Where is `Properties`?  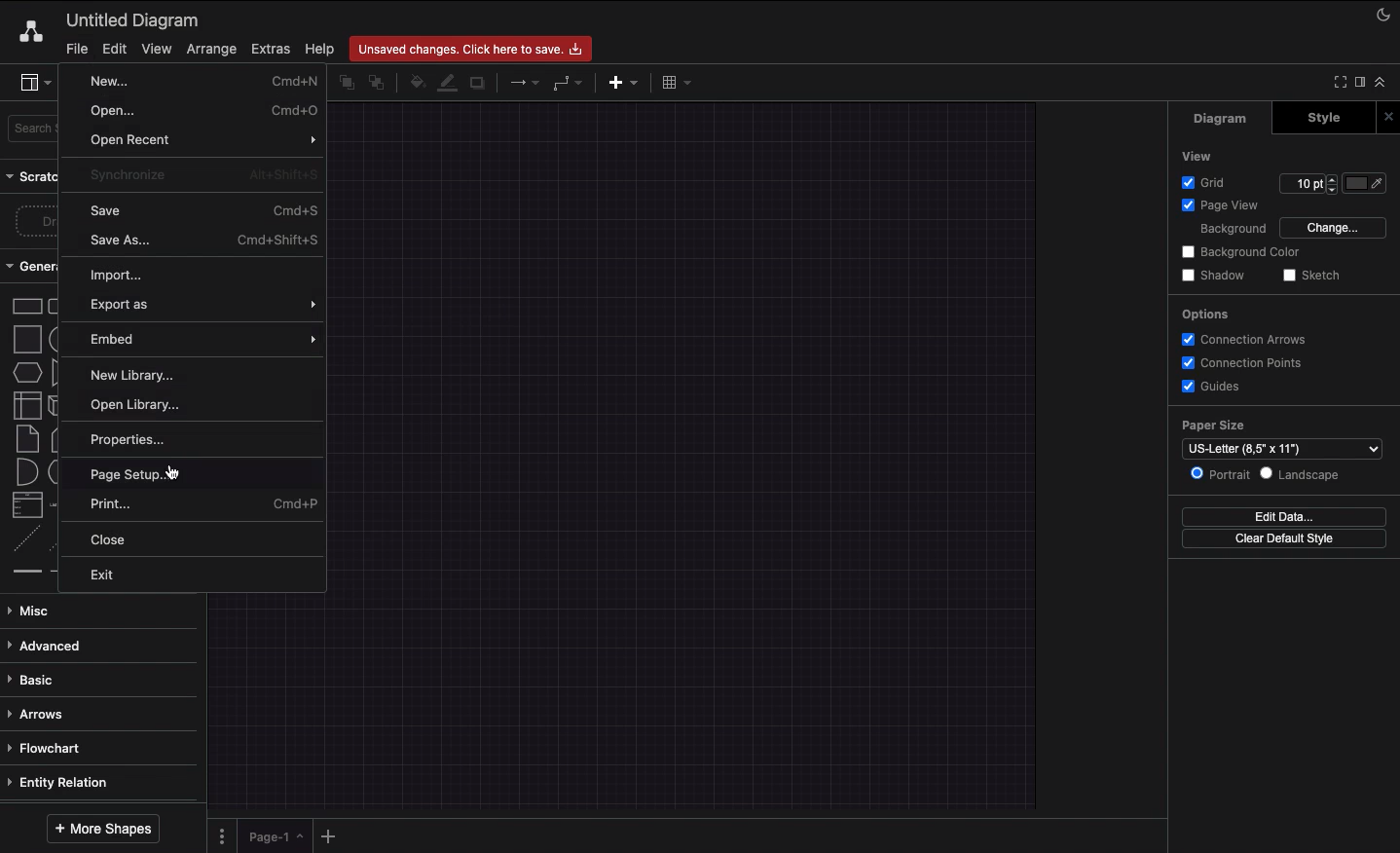 Properties is located at coordinates (138, 439).